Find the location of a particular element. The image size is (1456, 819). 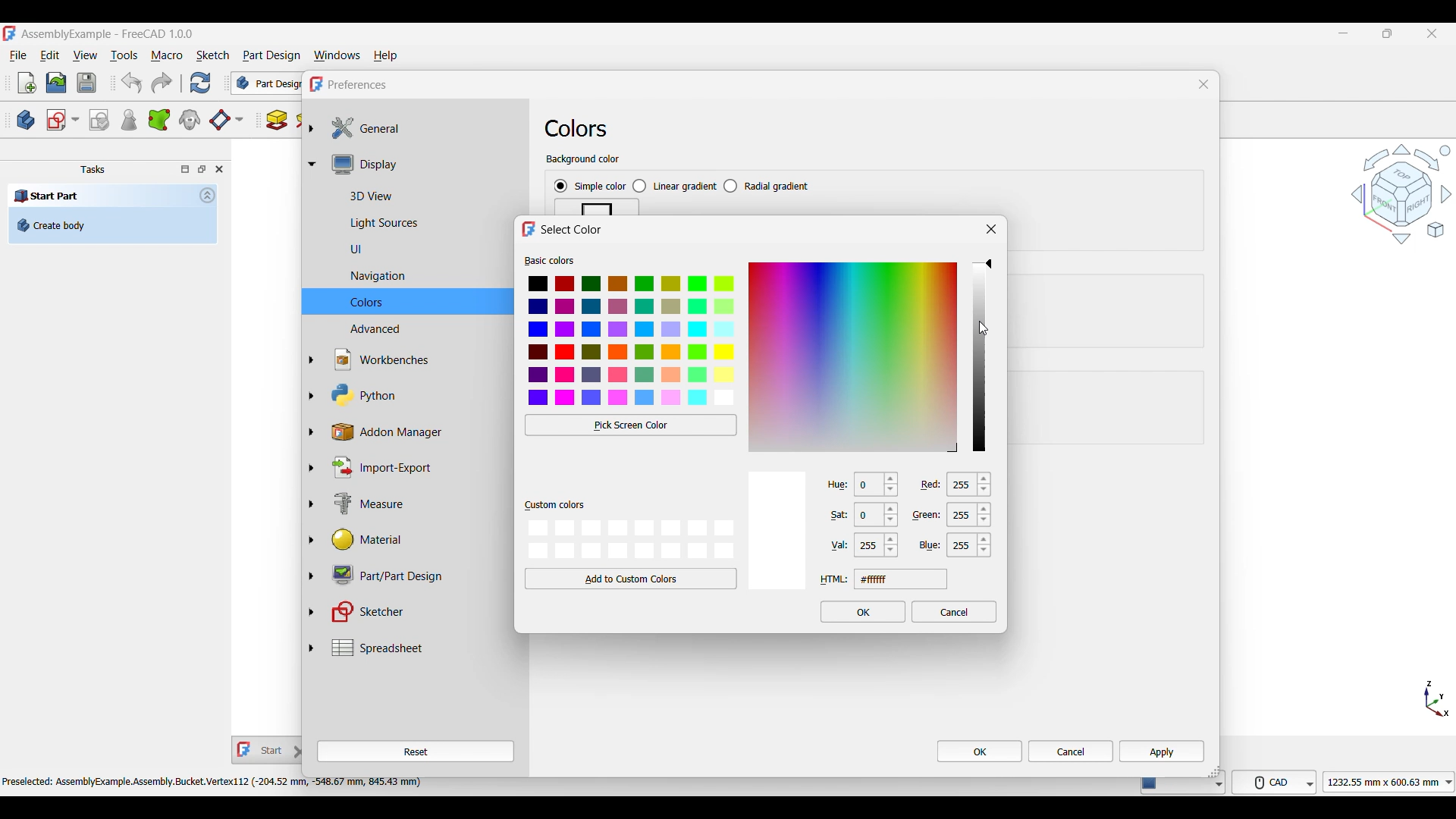

OK is located at coordinates (864, 612).